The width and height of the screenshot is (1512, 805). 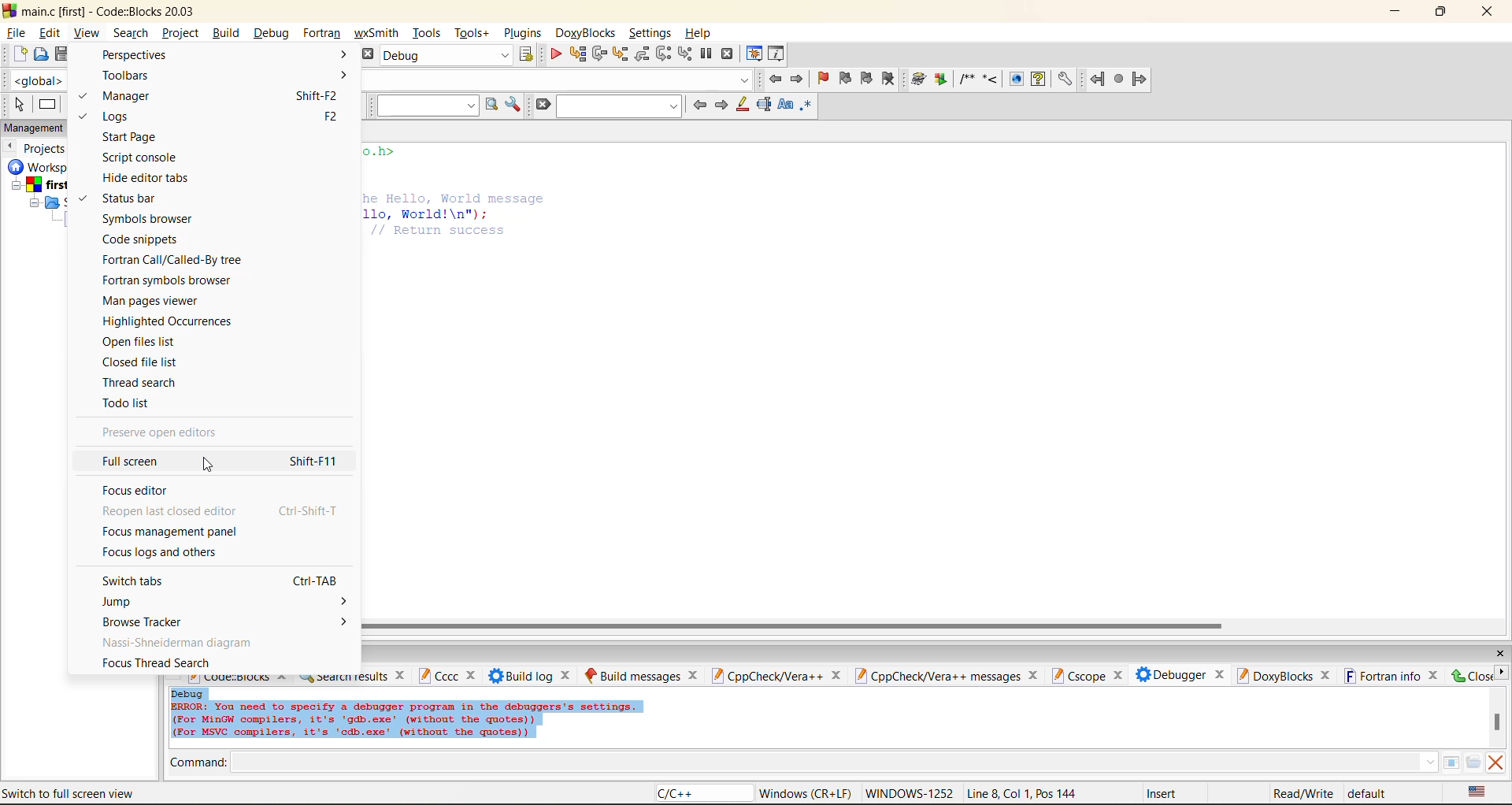 I want to click on clear bookmarks, so click(x=891, y=78).